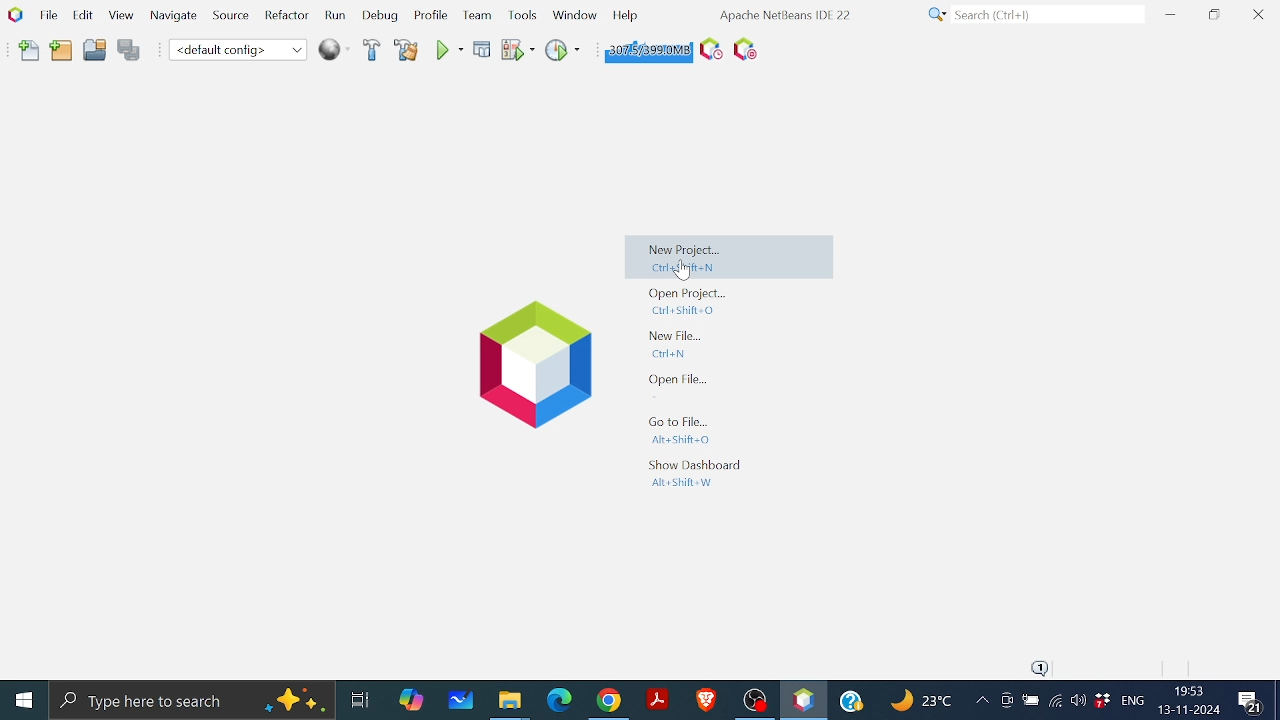 This screenshot has width=1280, height=720. Describe the element at coordinates (708, 50) in the screenshot. I see `Task Scheduling` at that location.